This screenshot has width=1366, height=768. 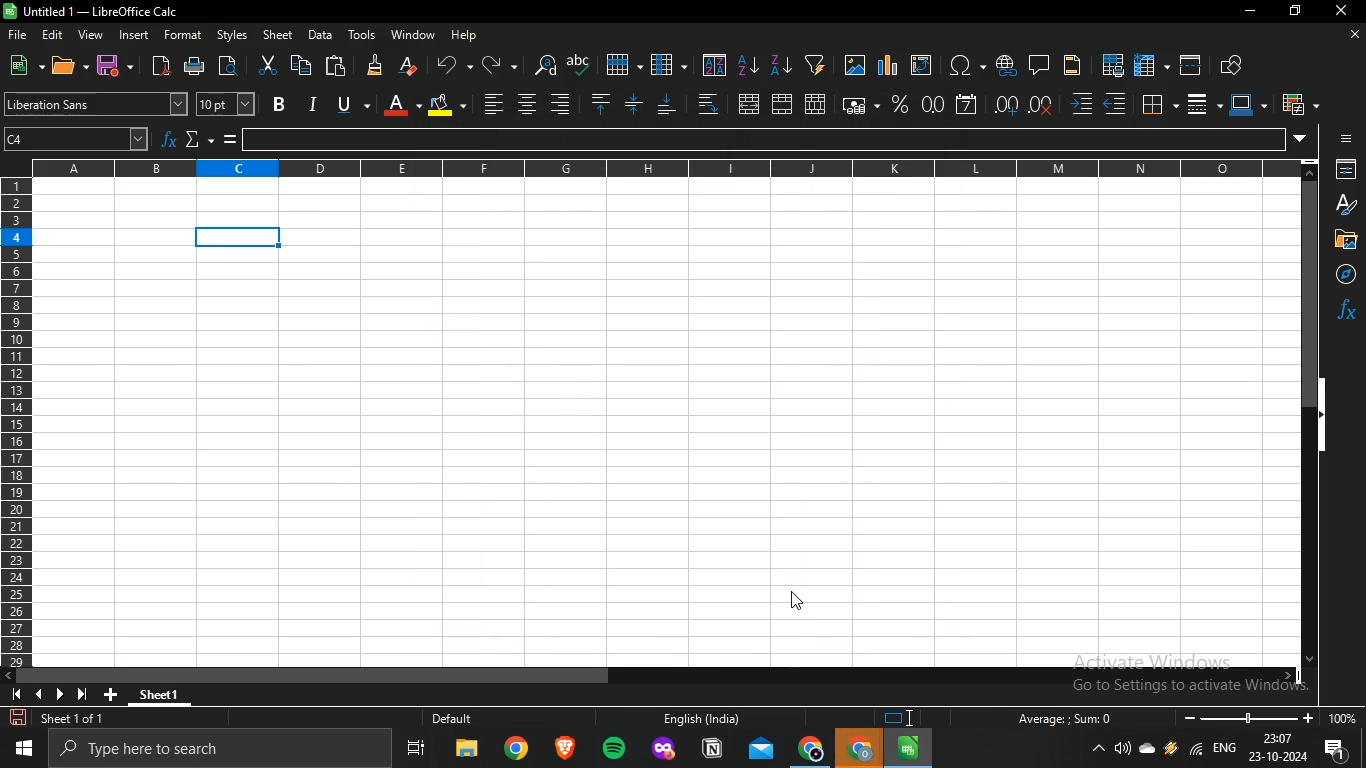 What do you see at coordinates (224, 103) in the screenshot?
I see `font size` at bounding box center [224, 103].